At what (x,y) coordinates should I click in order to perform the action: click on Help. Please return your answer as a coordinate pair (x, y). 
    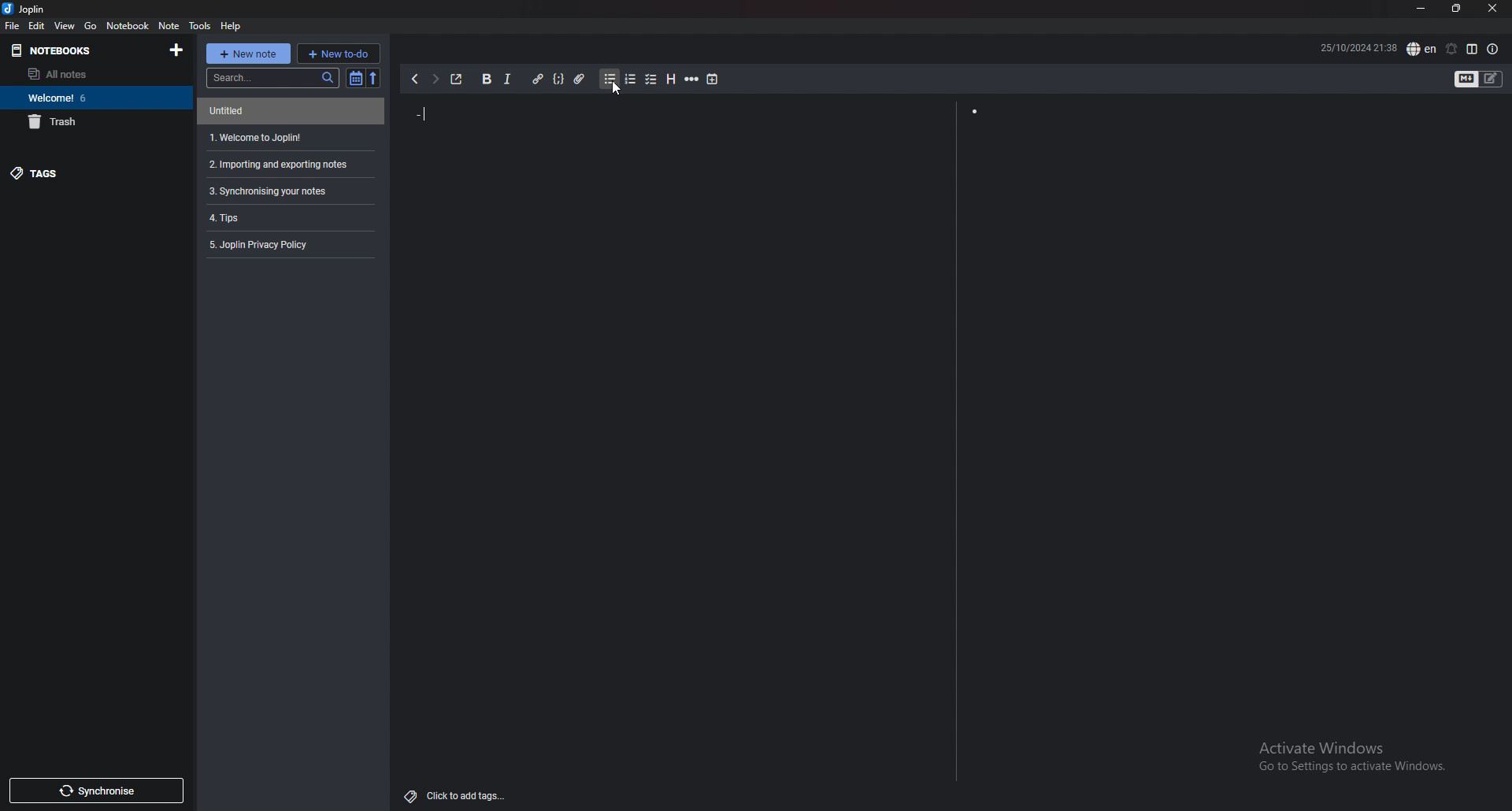
    Looking at the image, I should click on (233, 25).